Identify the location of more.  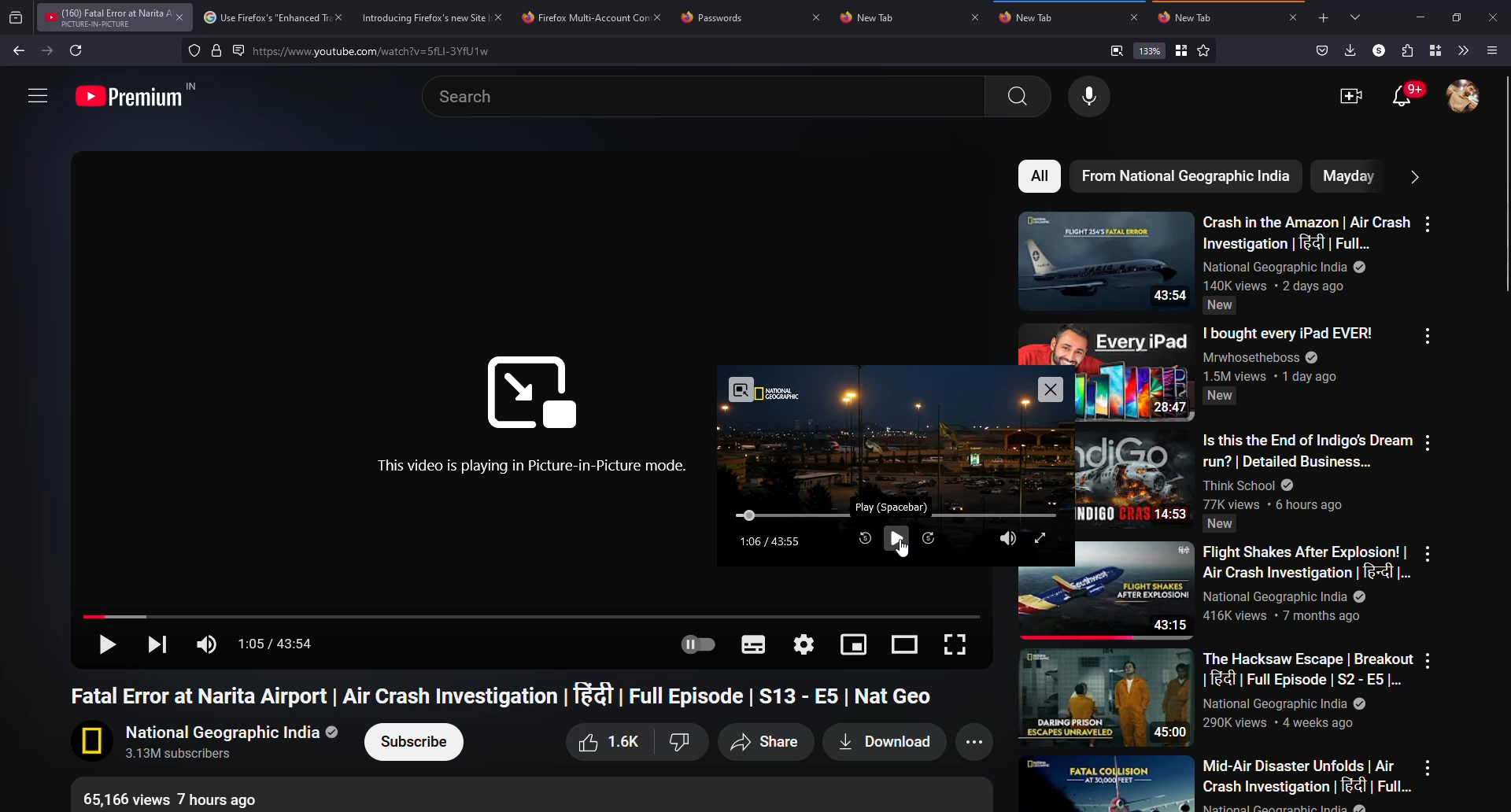
(1413, 175).